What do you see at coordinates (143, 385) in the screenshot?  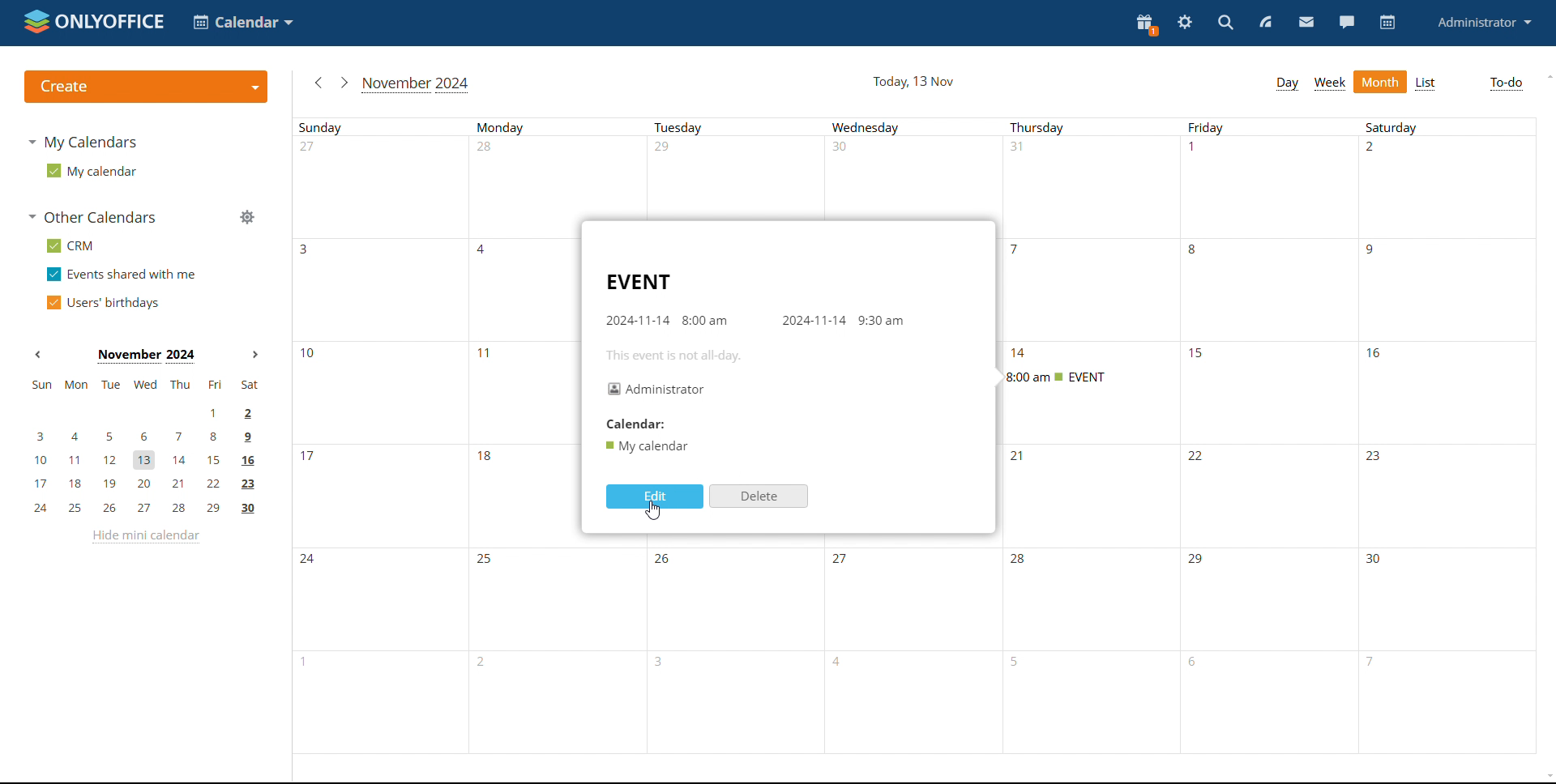 I see `sun, mon, tue, wed, thu, fri, sat` at bounding box center [143, 385].